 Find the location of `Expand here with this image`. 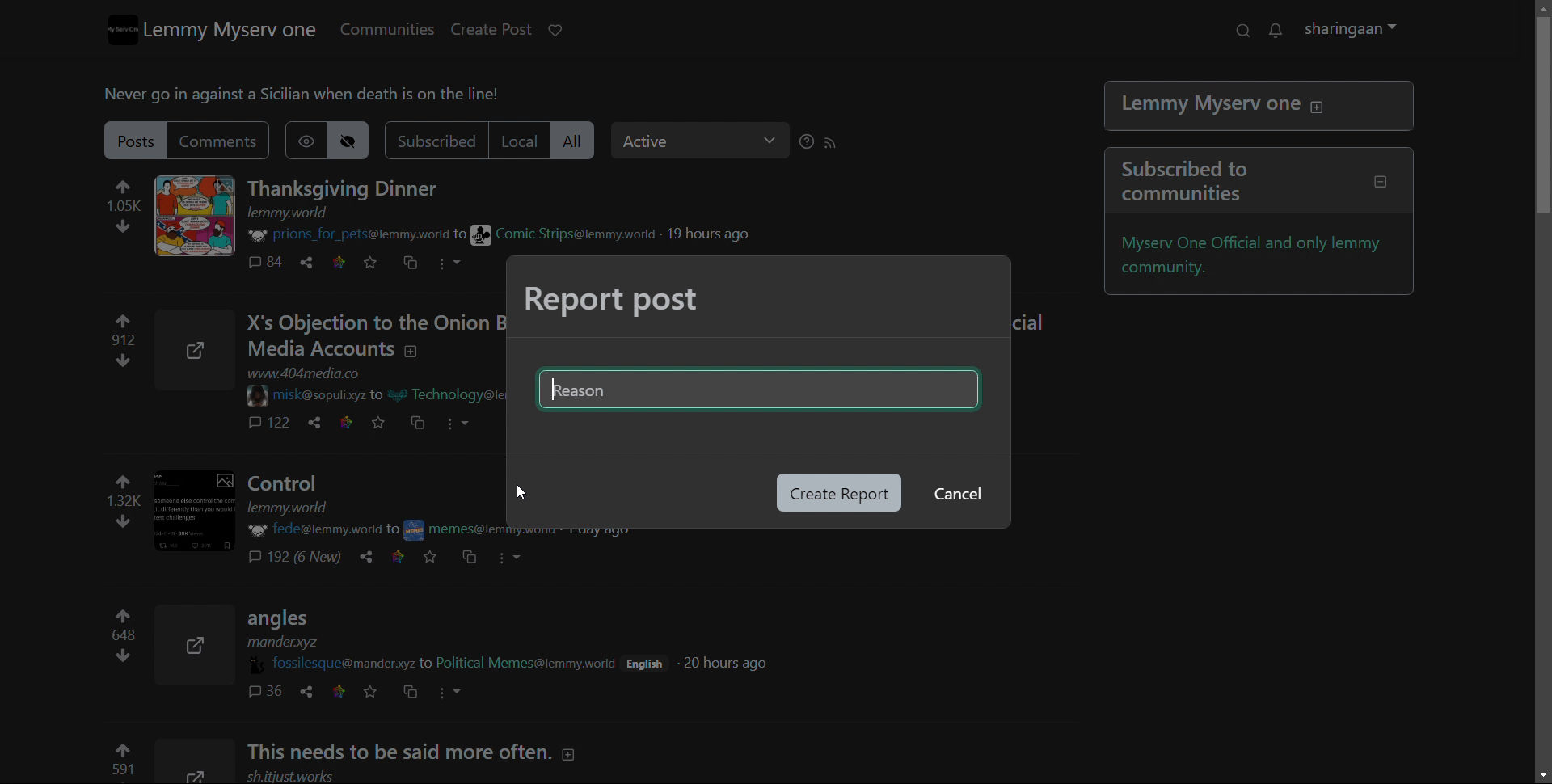

Expand here with this image is located at coordinates (199, 647).